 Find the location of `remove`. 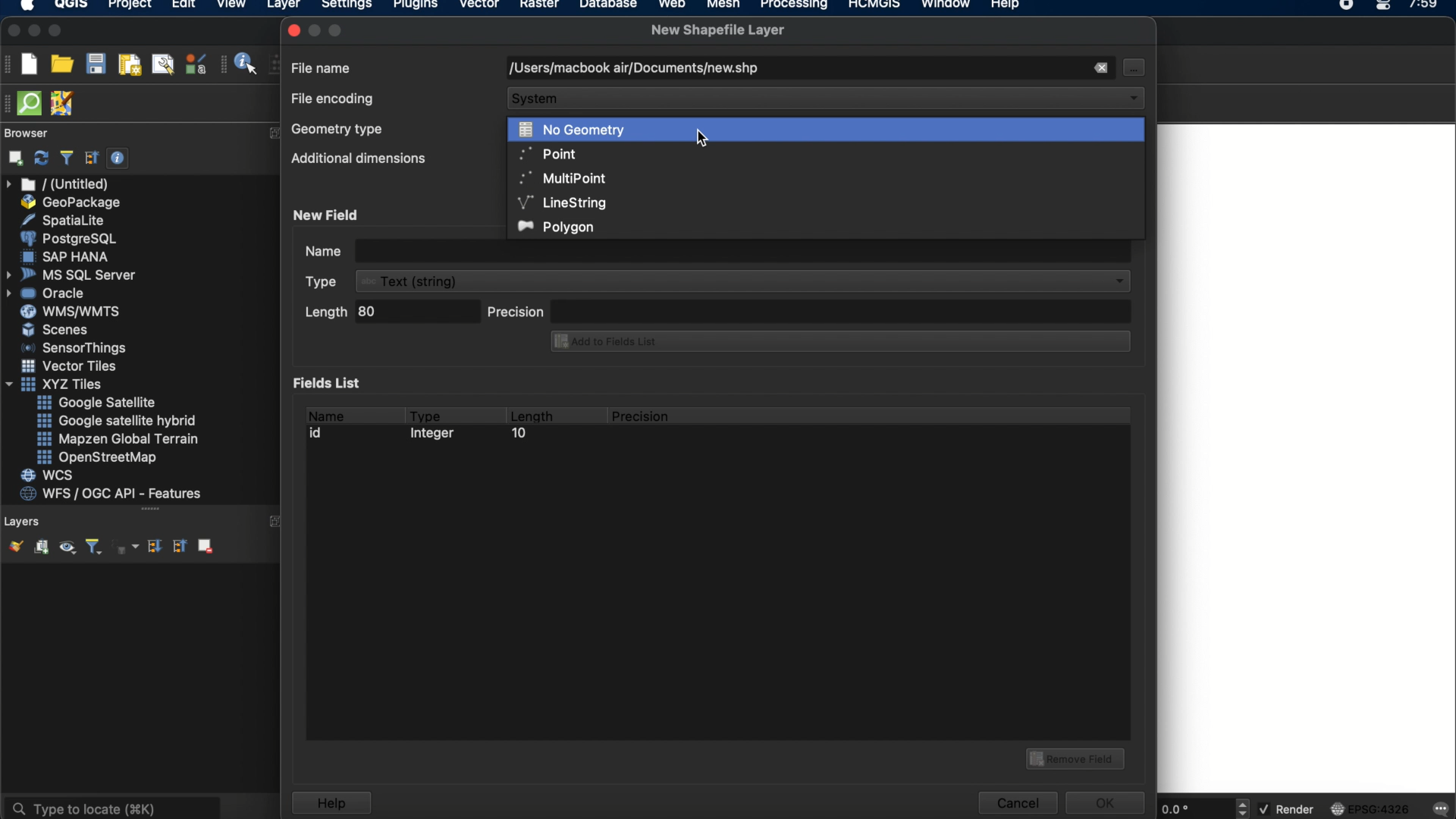

remove is located at coordinates (1100, 68).